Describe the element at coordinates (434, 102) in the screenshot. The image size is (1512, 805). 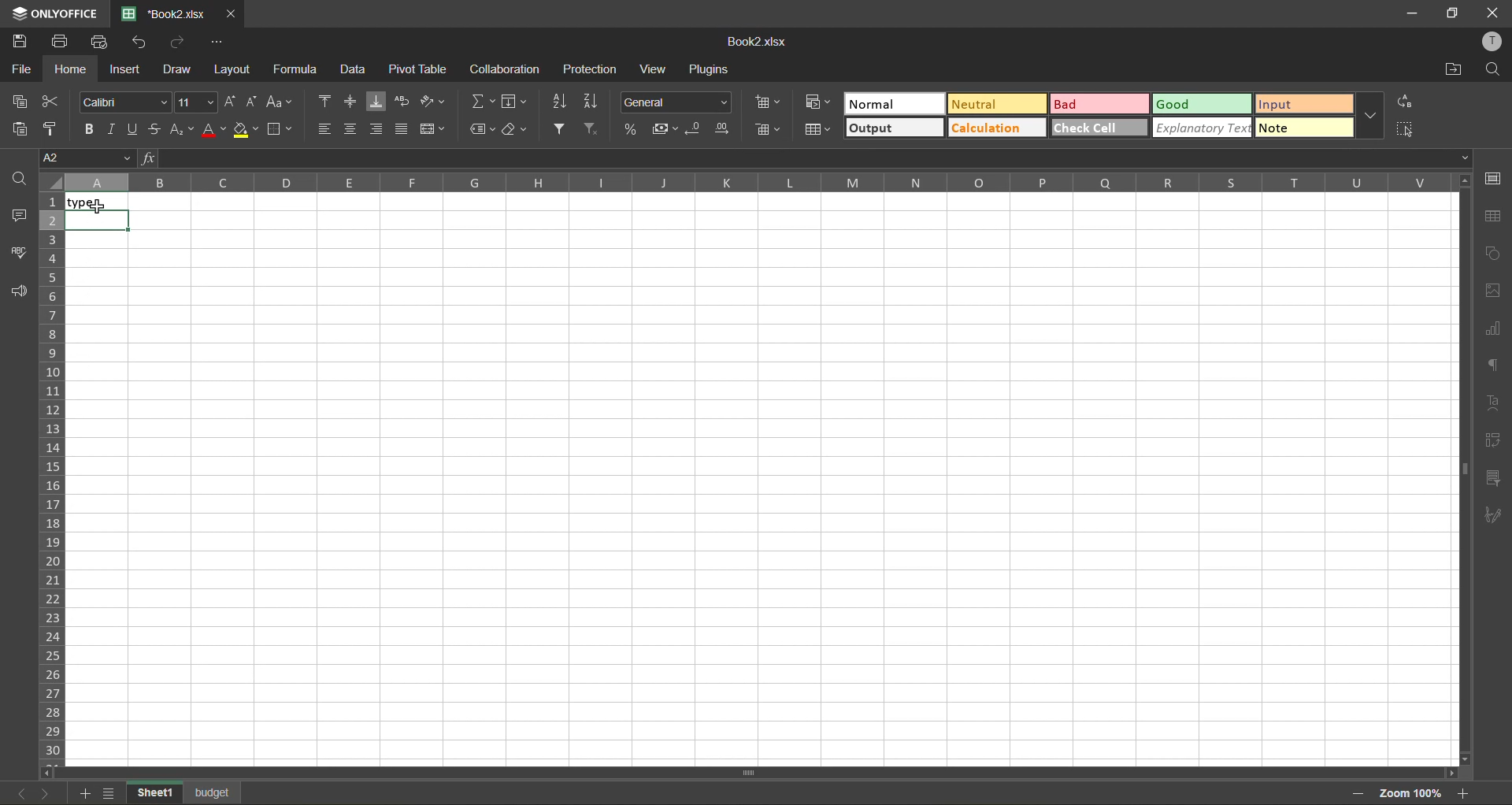
I see `orientation` at that location.